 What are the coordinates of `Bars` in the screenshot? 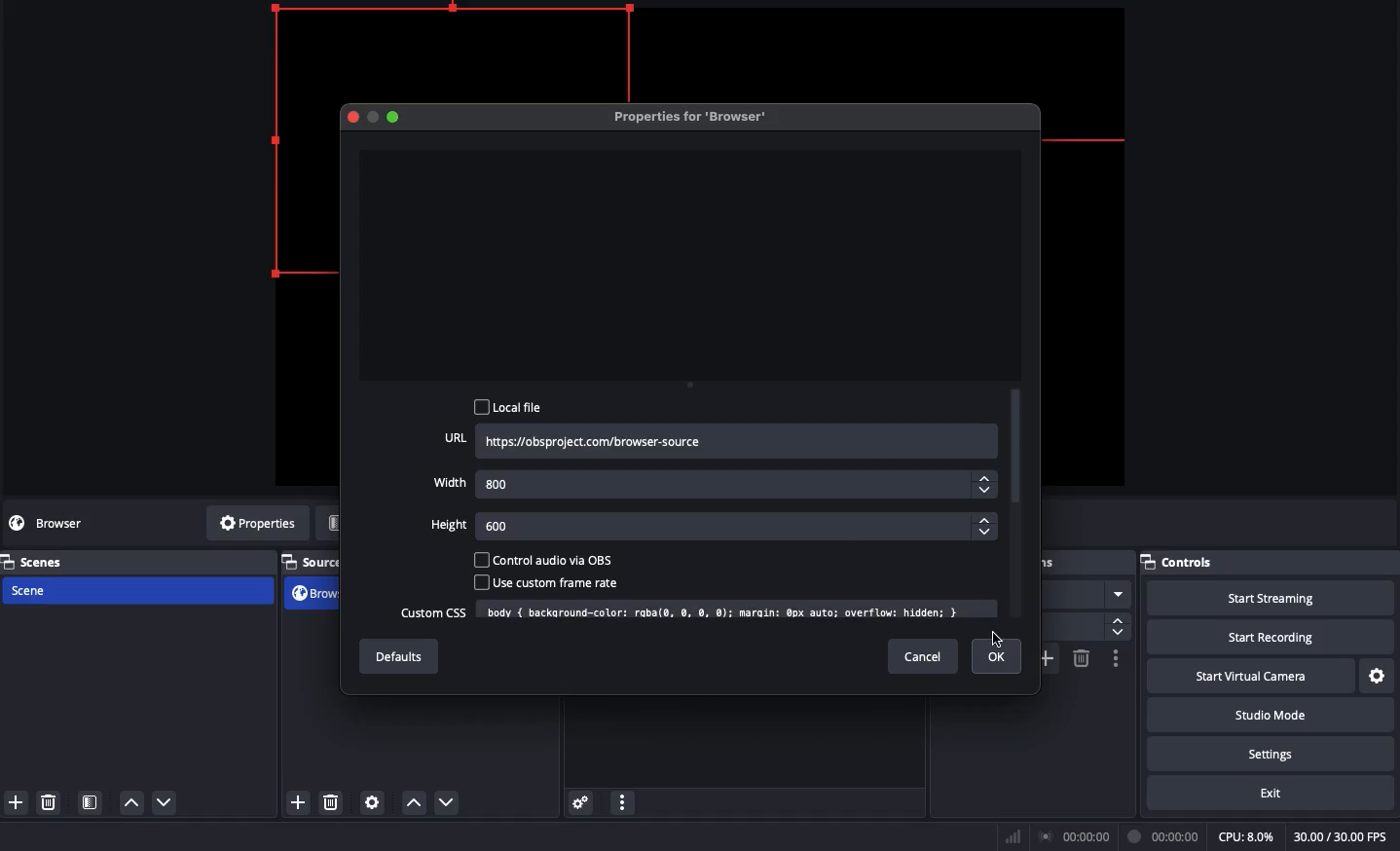 It's located at (1010, 837).